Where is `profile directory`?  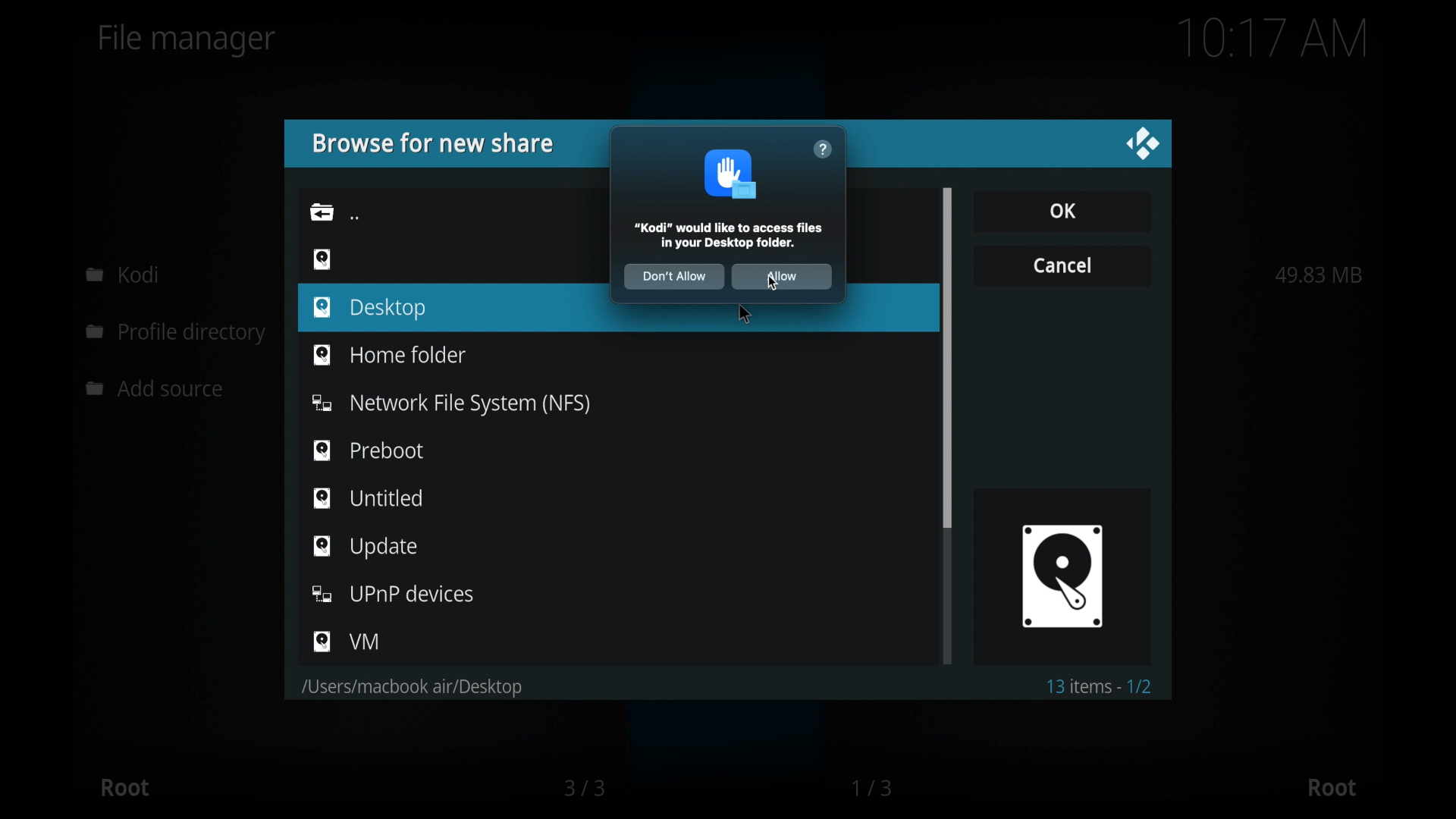 profile directory is located at coordinates (179, 334).